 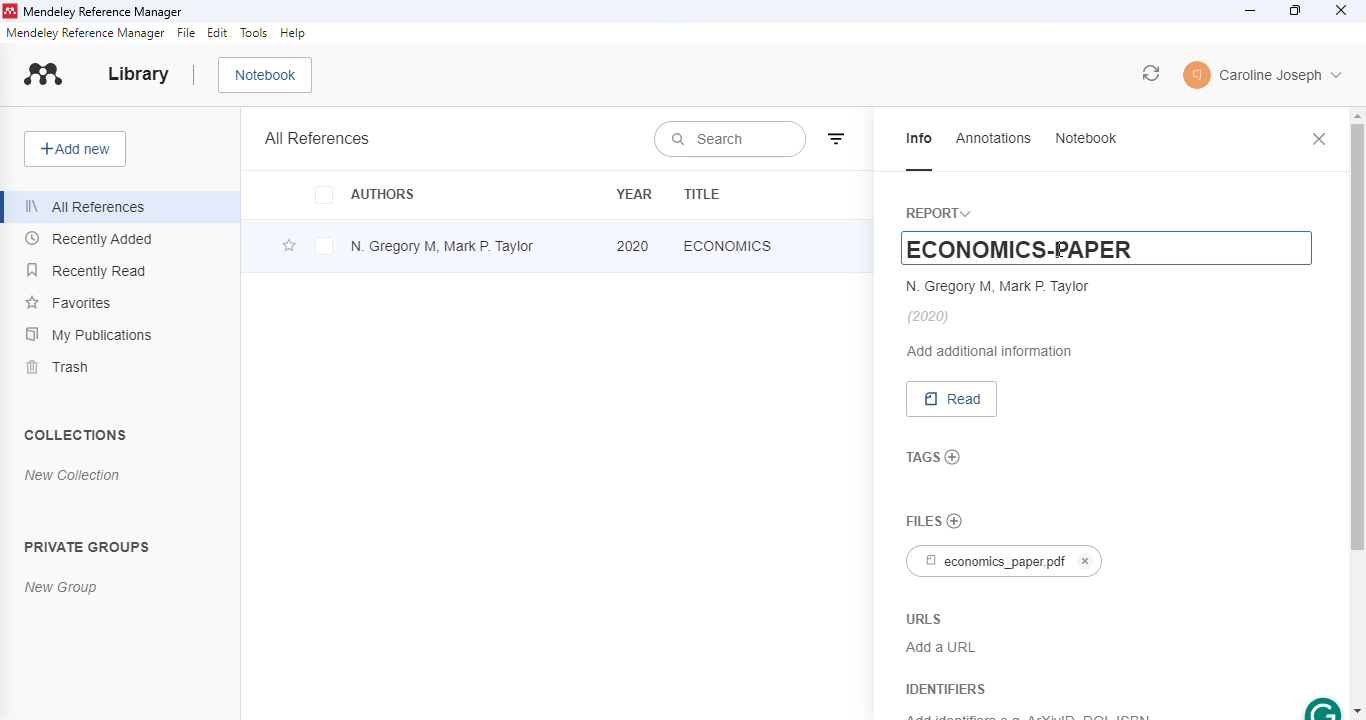 I want to click on files, so click(x=922, y=521).